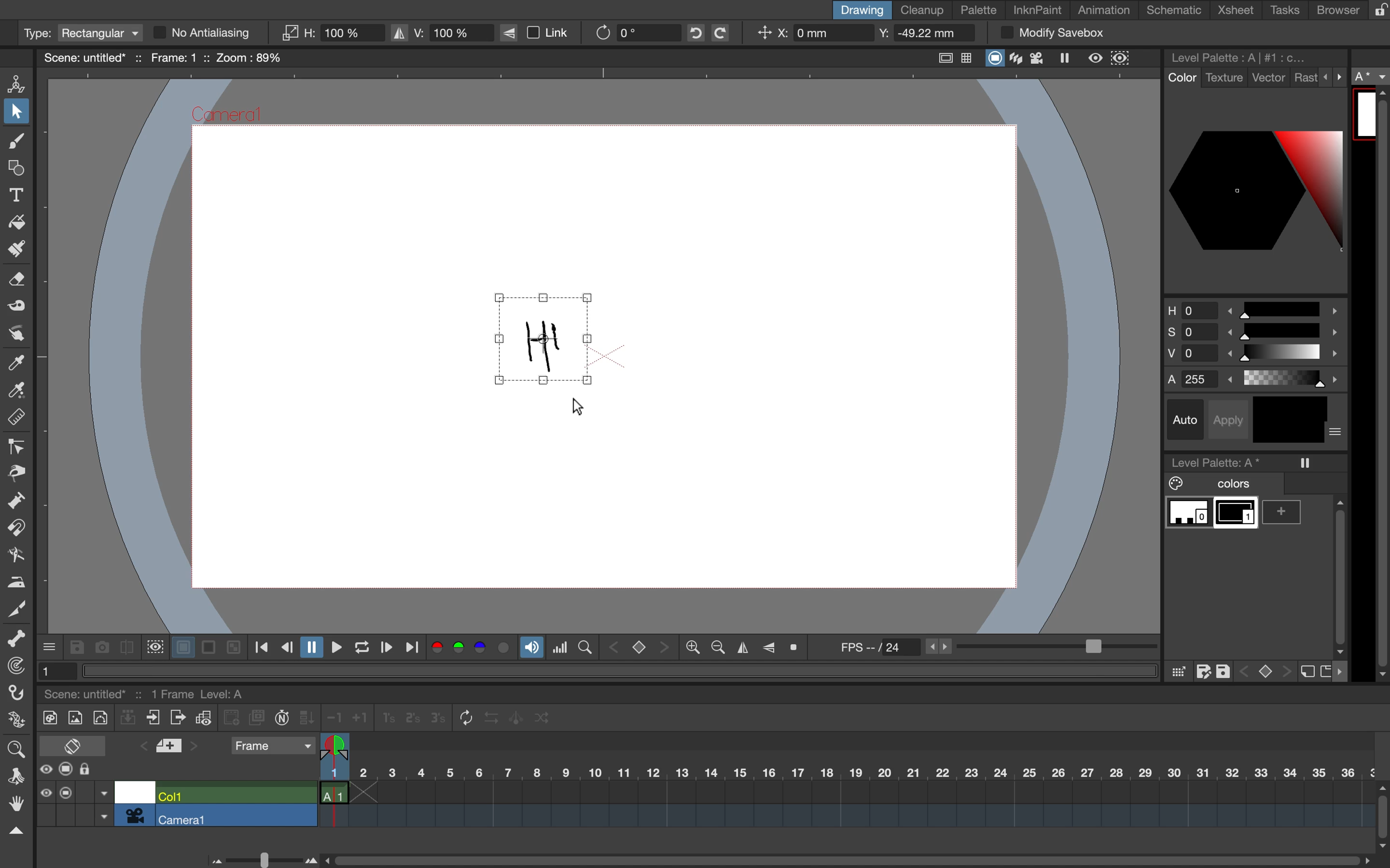  What do you see at coordinates (15, 722) in the screenshot?
I see `plastic tool` at bounding box center [15, 722].